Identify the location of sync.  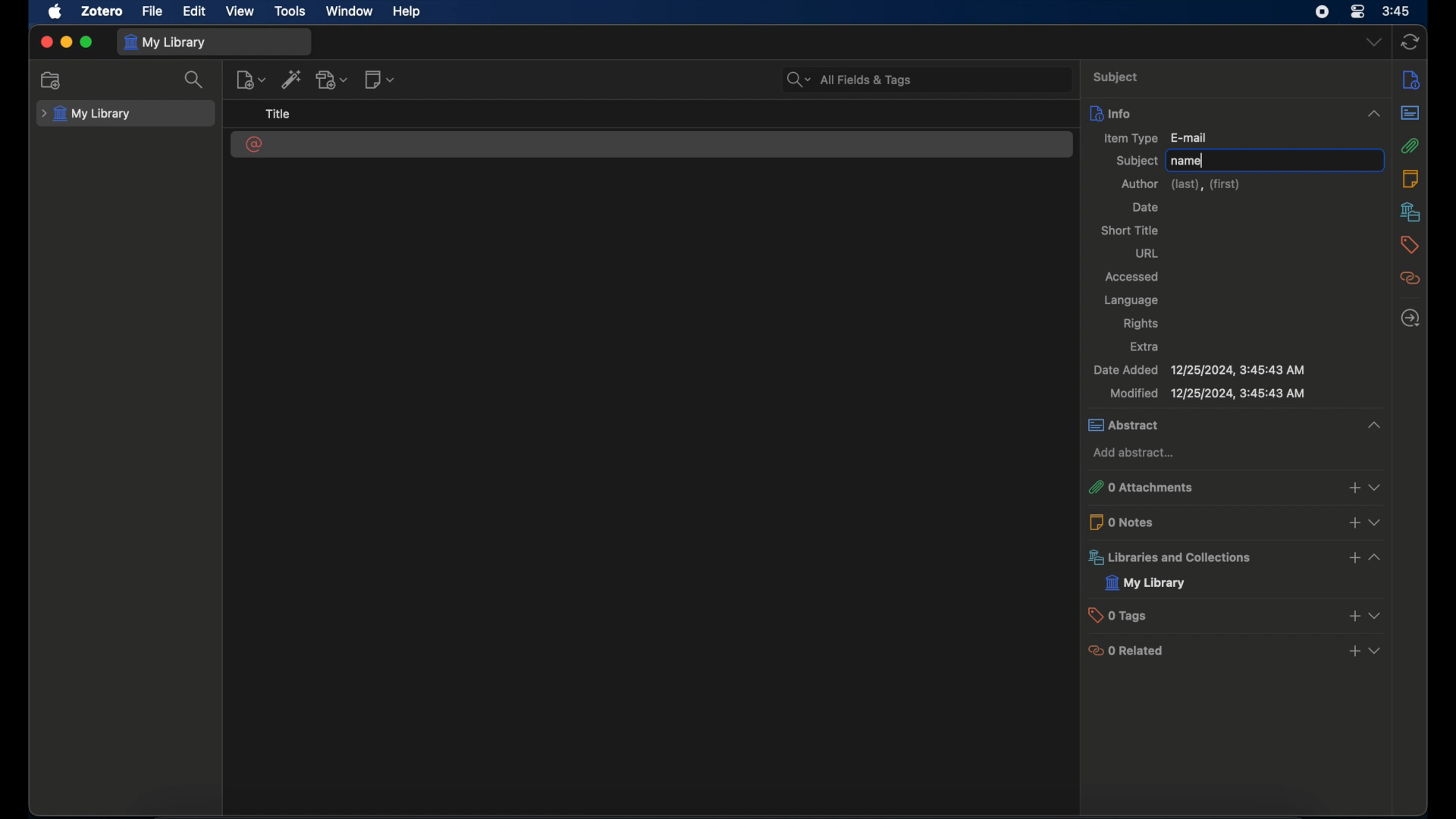
(1410, 41).